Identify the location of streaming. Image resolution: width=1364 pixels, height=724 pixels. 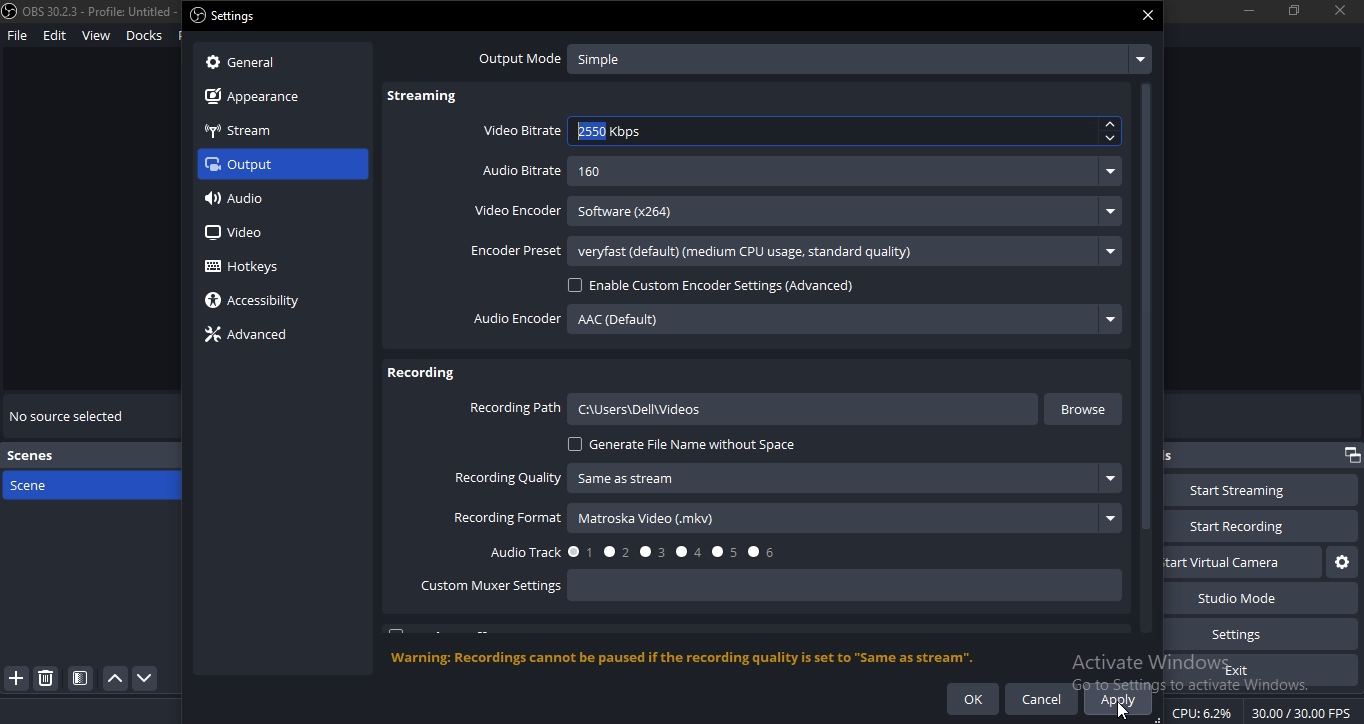
(424, 98).